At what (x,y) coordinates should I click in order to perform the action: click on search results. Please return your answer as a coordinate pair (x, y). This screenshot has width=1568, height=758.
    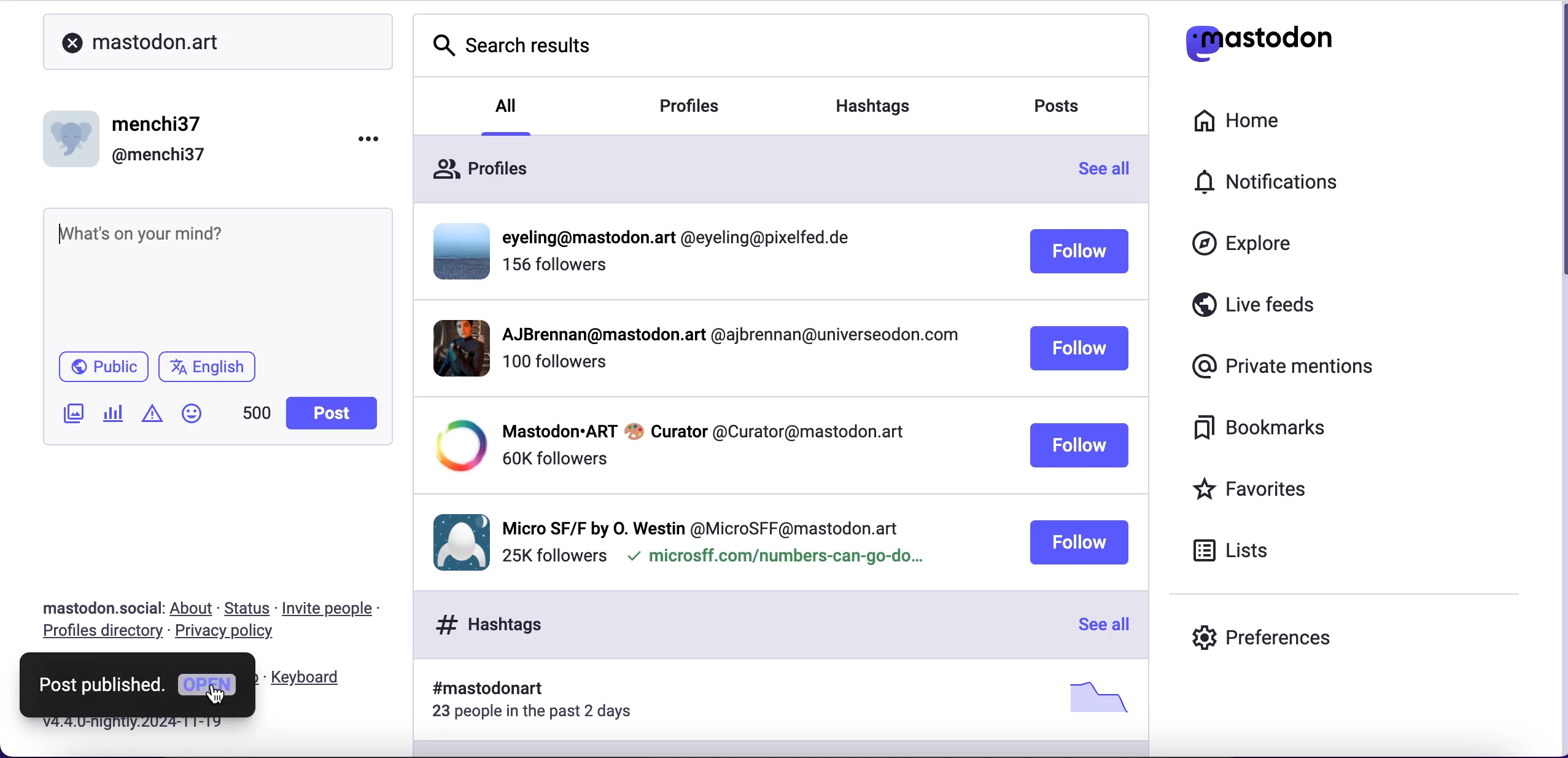
    Looking at the image, I should click on (782, 47).